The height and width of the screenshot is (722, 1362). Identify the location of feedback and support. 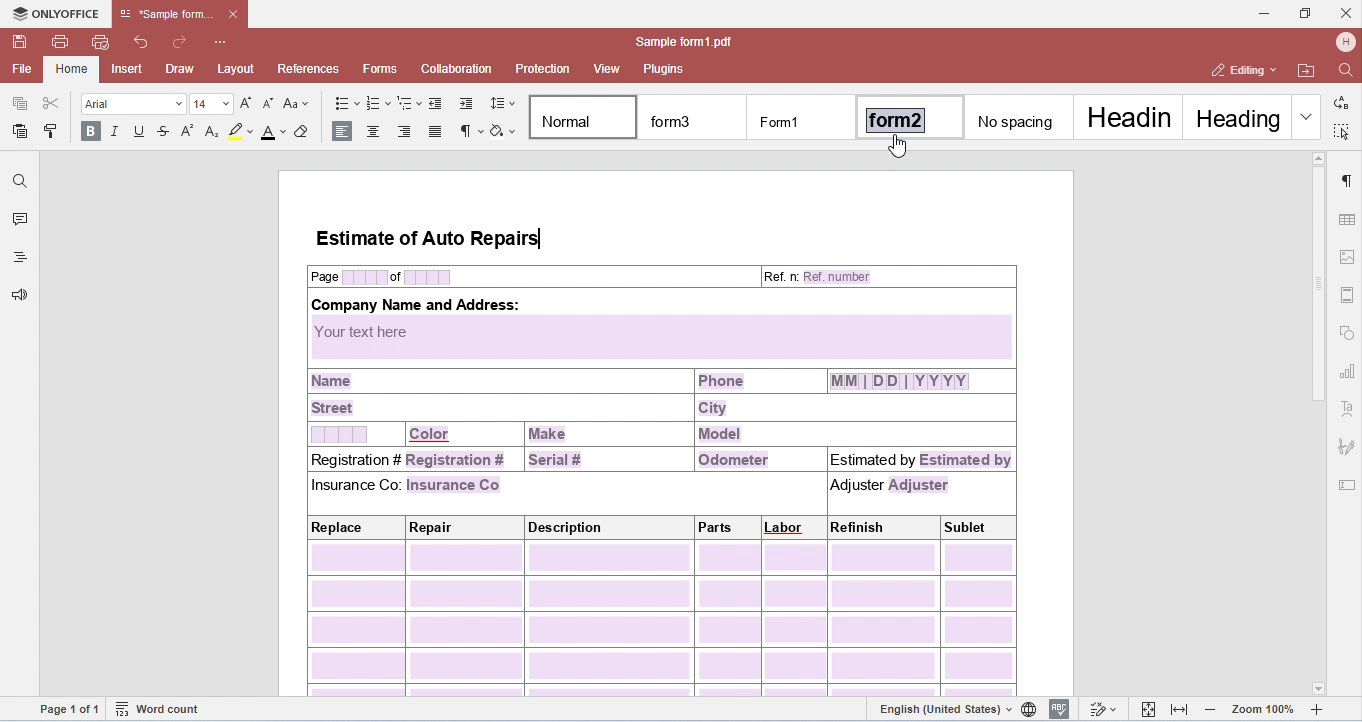
(21, 296).